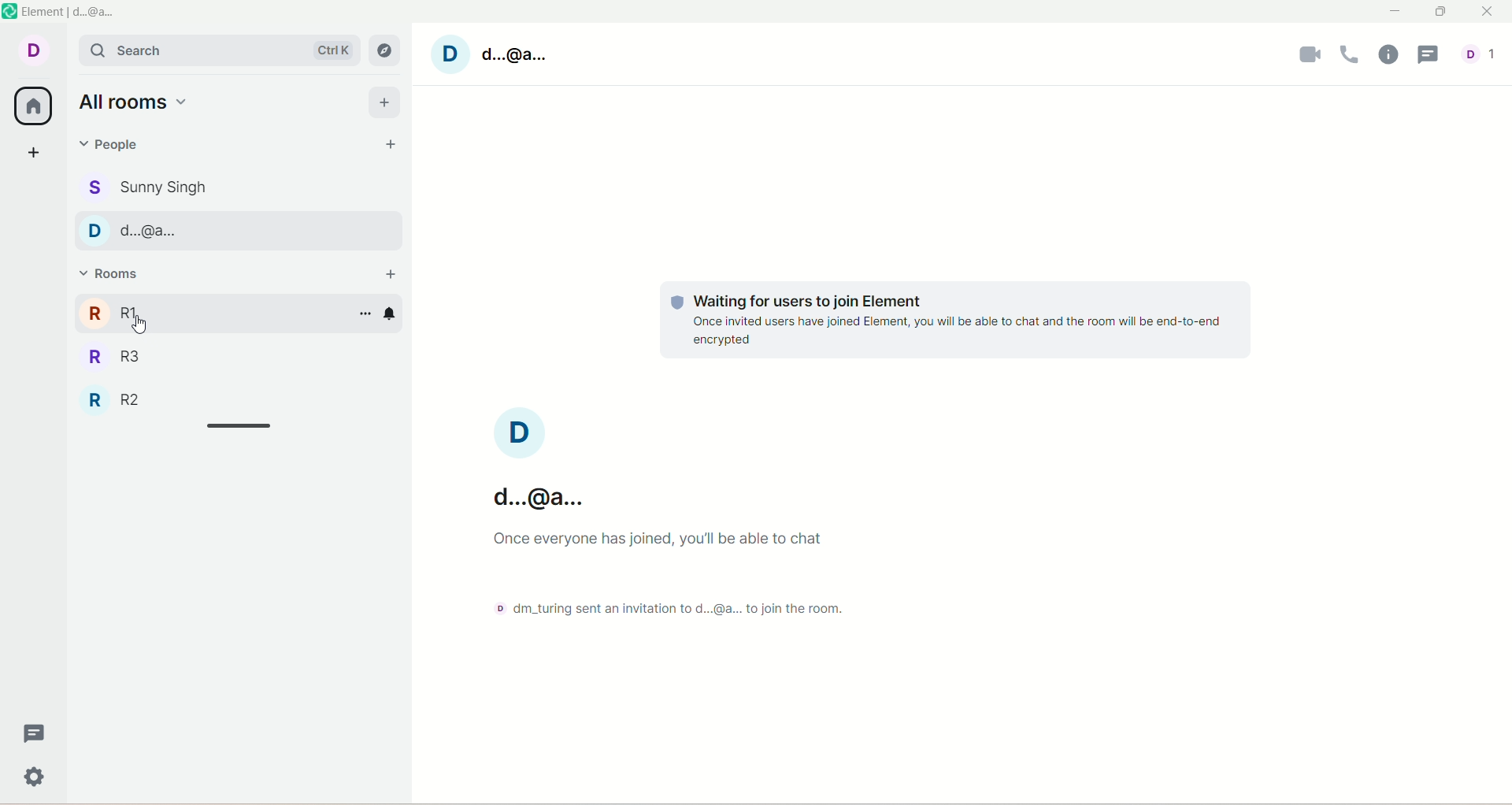 This screenshot has height=805, width=1512. I want to click on text, so click(687, 581).